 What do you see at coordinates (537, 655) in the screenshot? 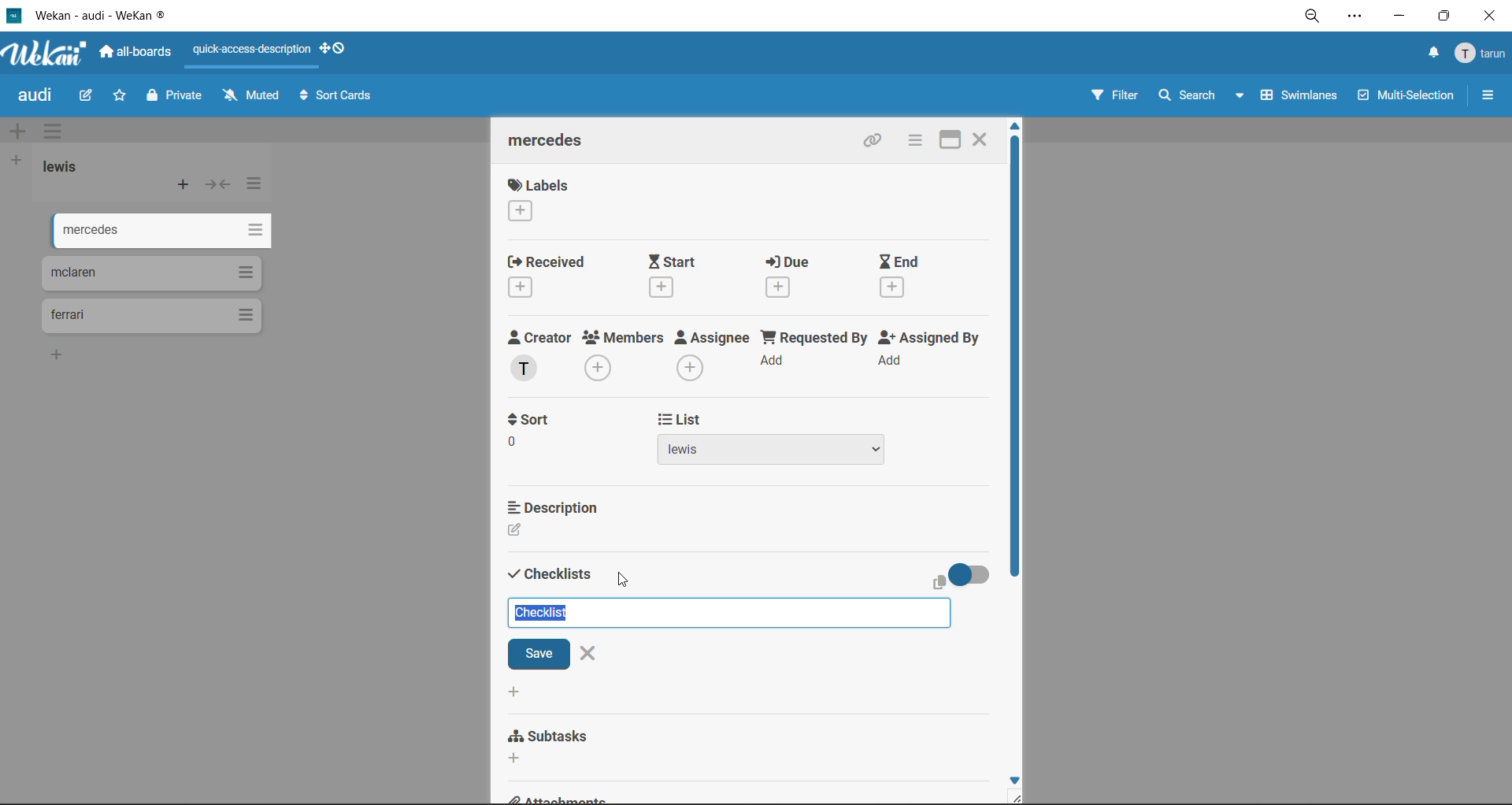
I see `save` at bounding box center [537, 655].